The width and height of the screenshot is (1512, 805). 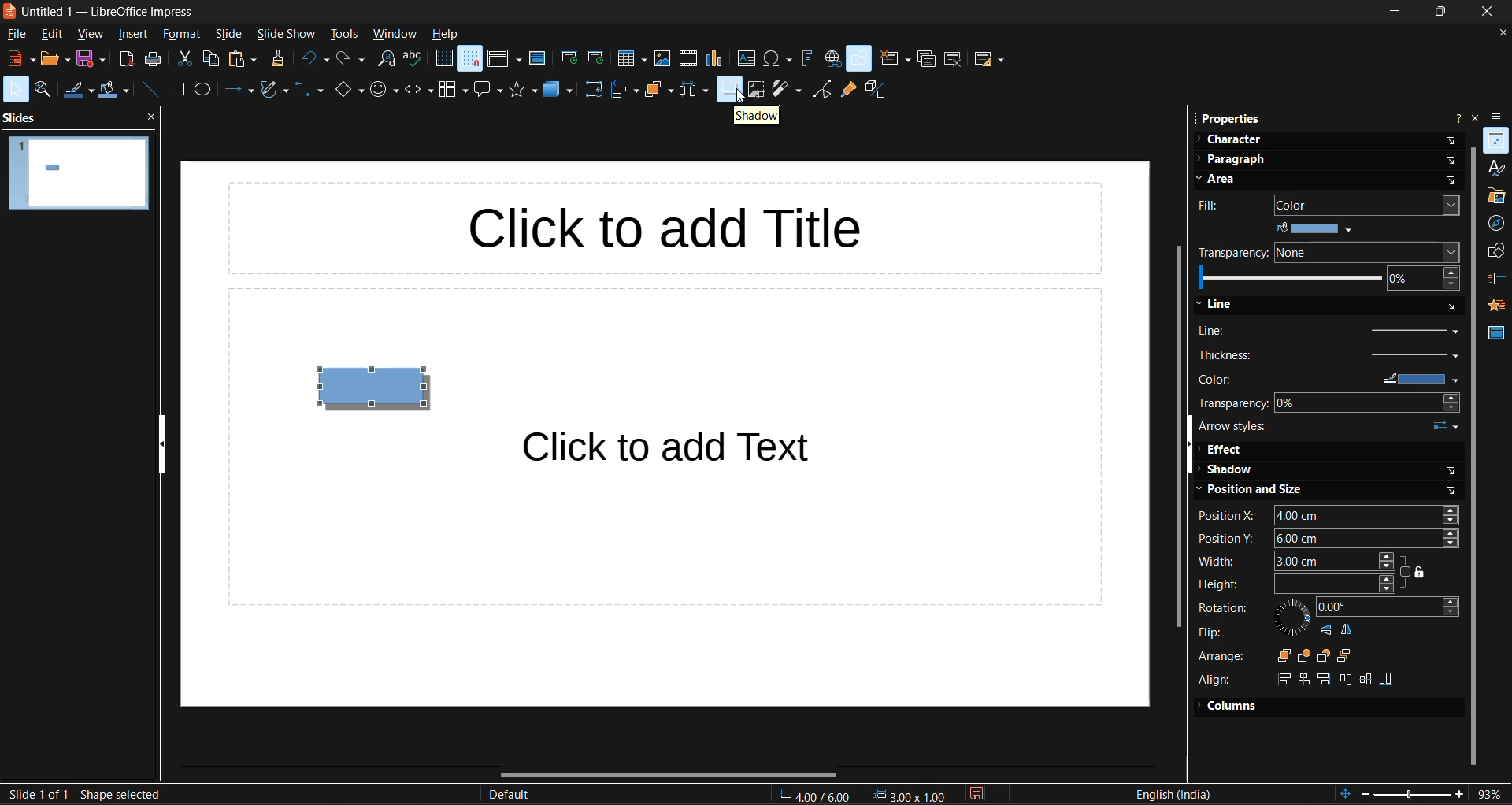 What do you see at coordinates (858, 58) in the screenshot?
I see `show draw functions` at bounding box center [858, 58].